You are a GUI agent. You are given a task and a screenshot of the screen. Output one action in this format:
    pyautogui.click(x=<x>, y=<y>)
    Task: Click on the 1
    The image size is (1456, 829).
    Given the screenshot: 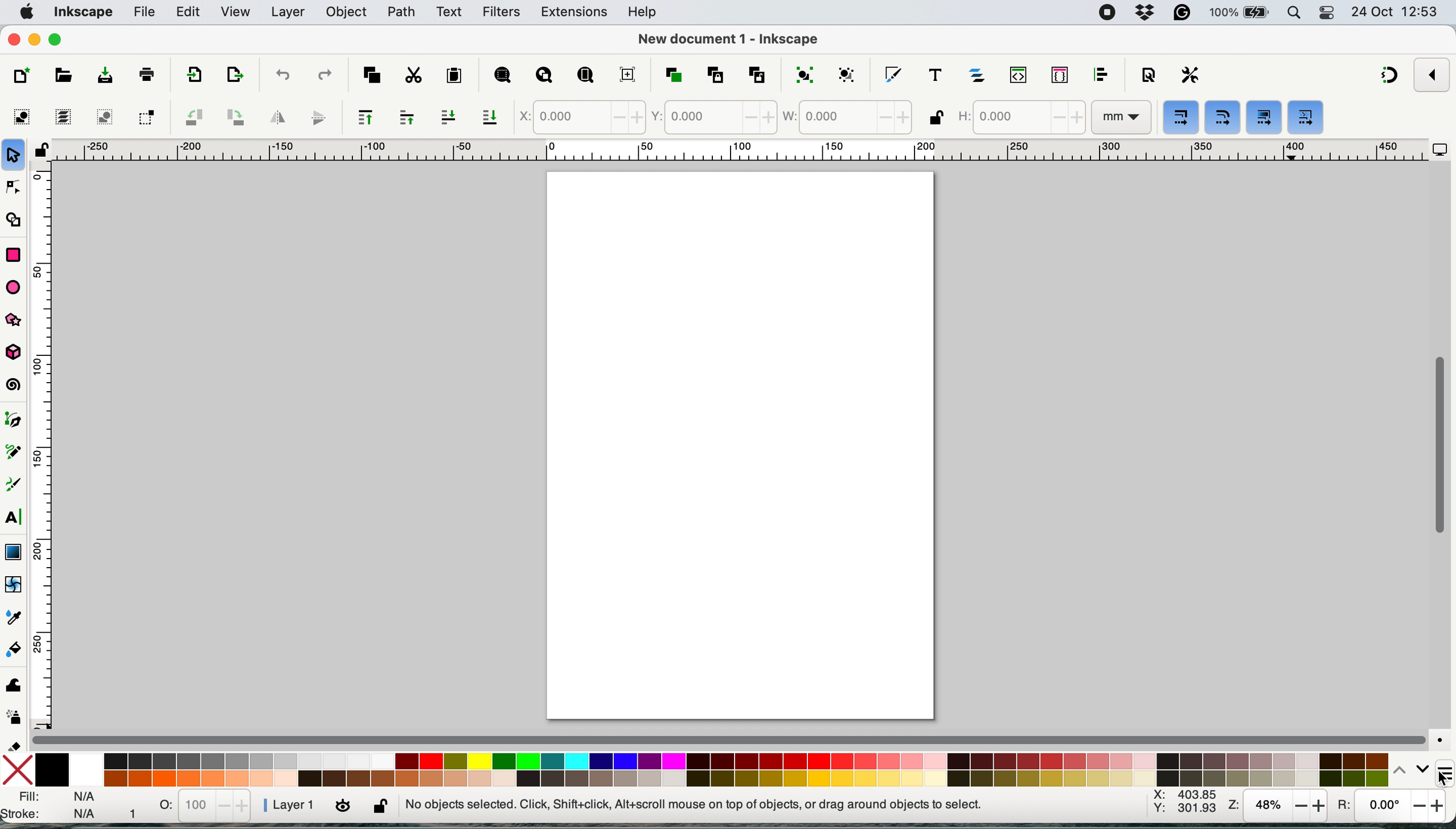 What is the action you would take?
    pyautogui.click(x=135, y=808)
    